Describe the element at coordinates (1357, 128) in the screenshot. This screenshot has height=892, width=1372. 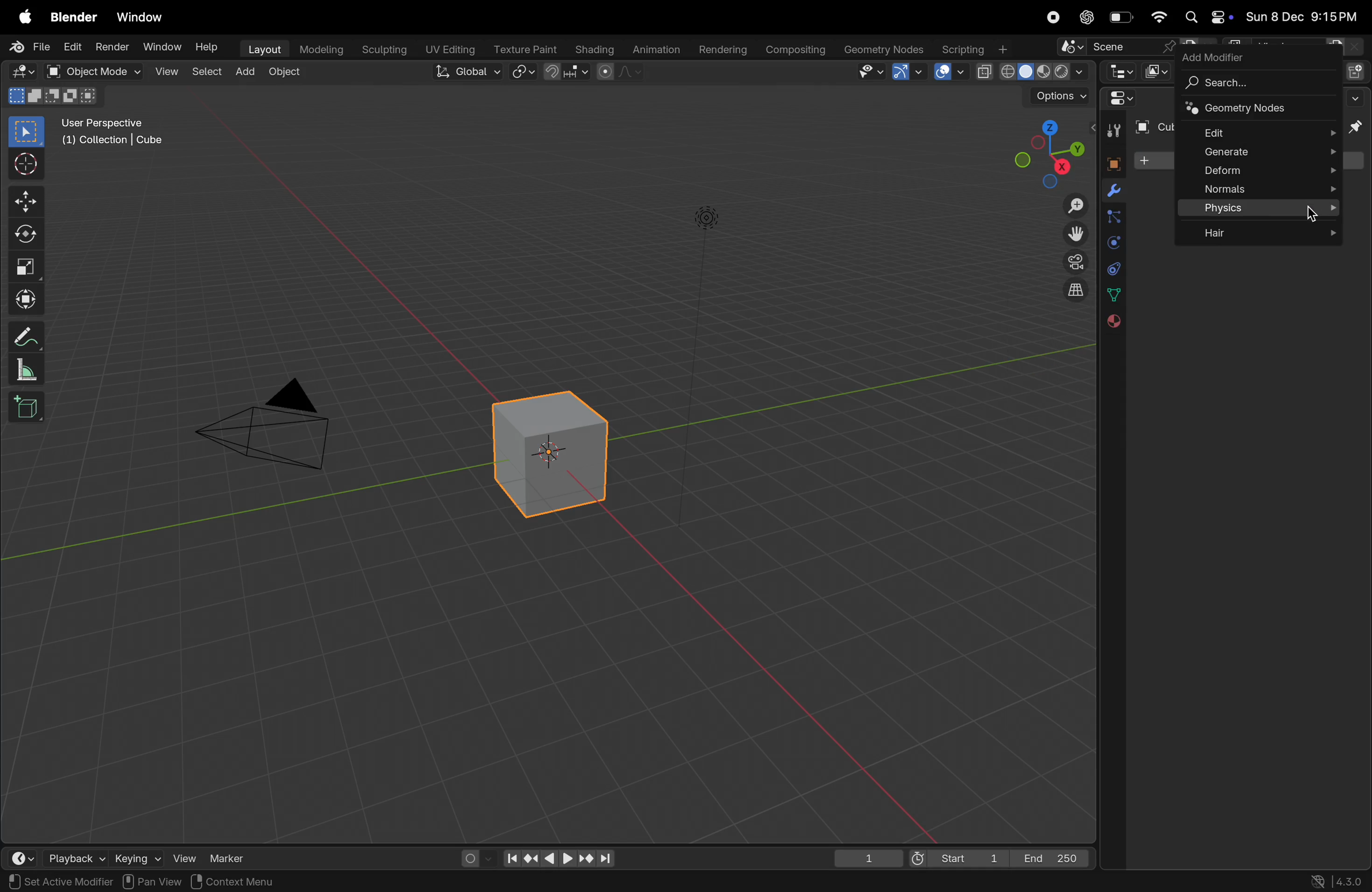
I see `toggle pin id` at that location.